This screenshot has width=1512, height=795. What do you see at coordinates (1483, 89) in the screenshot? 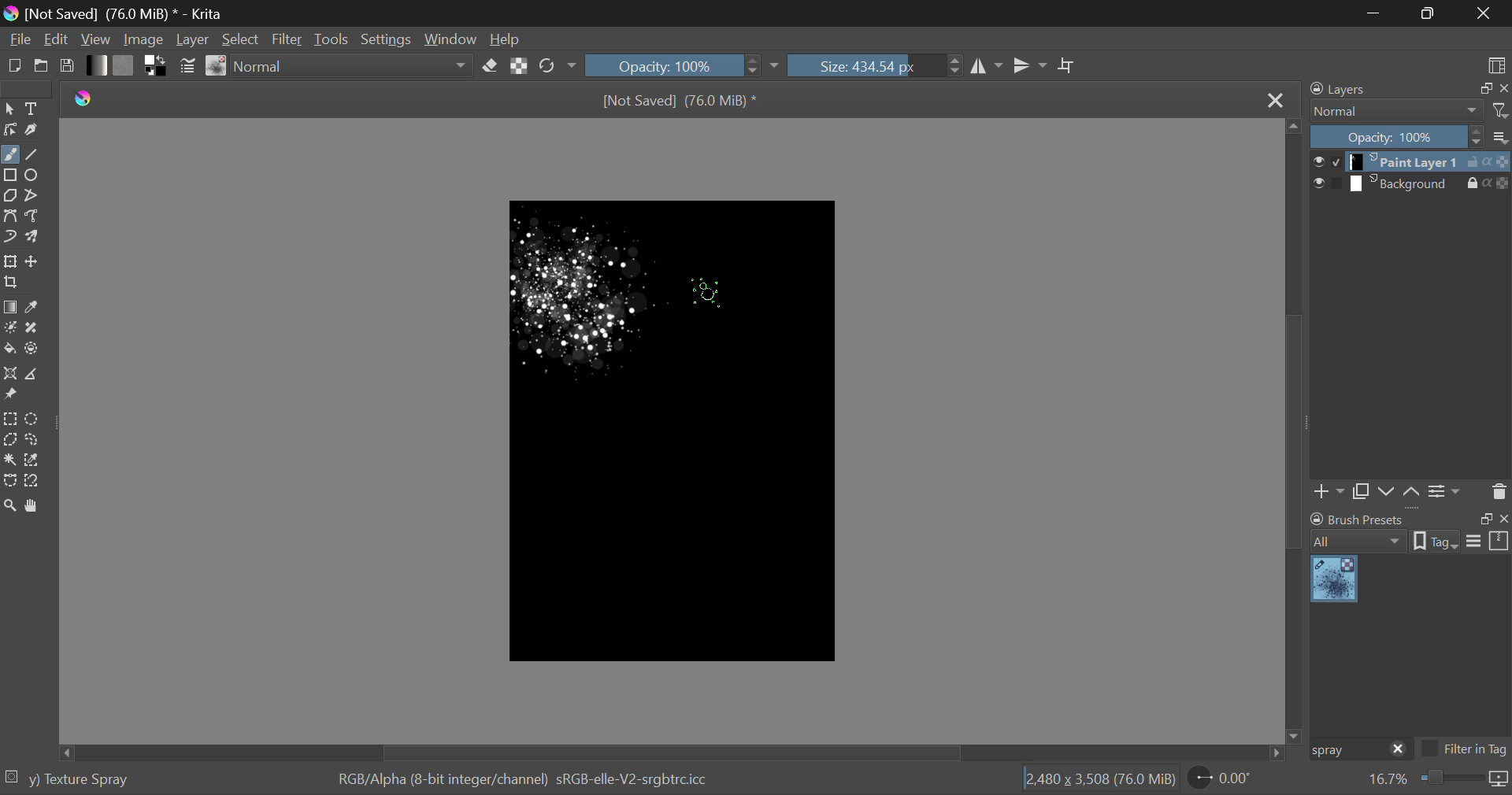
I see `restore` at bounding box center [1483, 89].